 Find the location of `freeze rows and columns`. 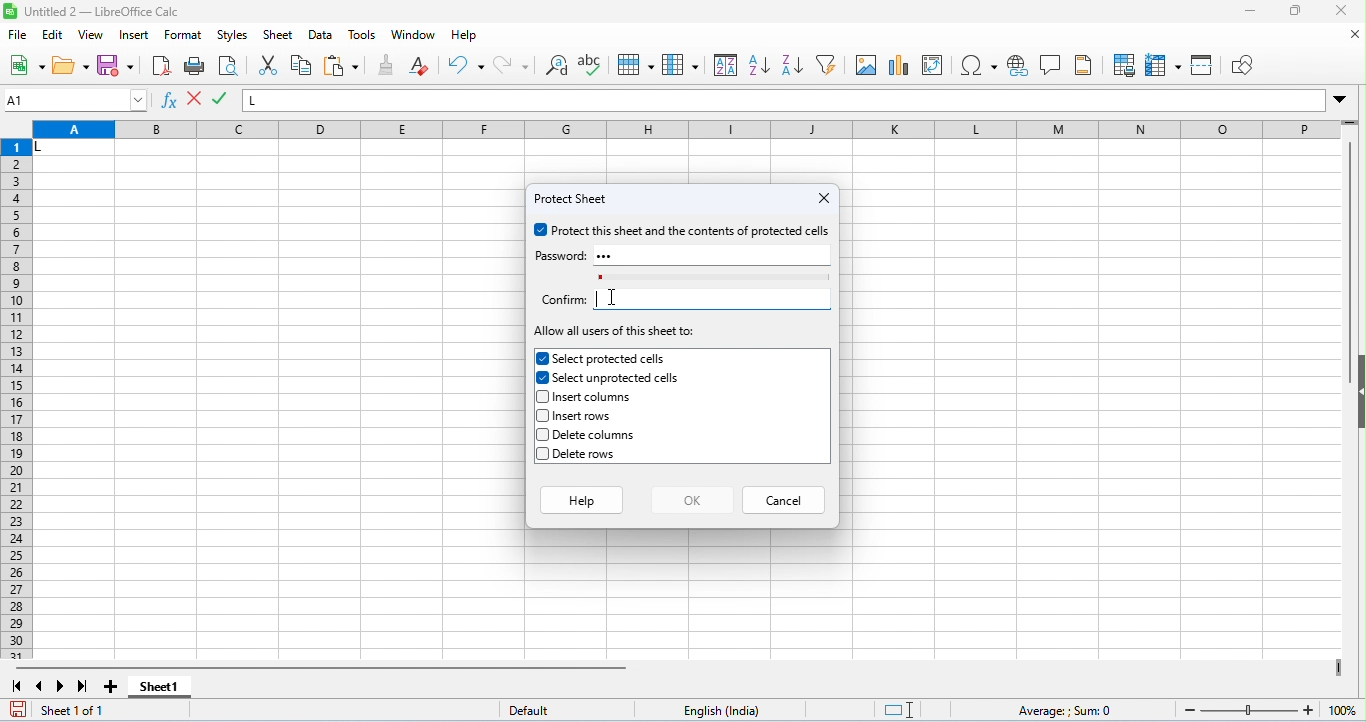

freeze rows and columns is located at coordinates (1165, 66).